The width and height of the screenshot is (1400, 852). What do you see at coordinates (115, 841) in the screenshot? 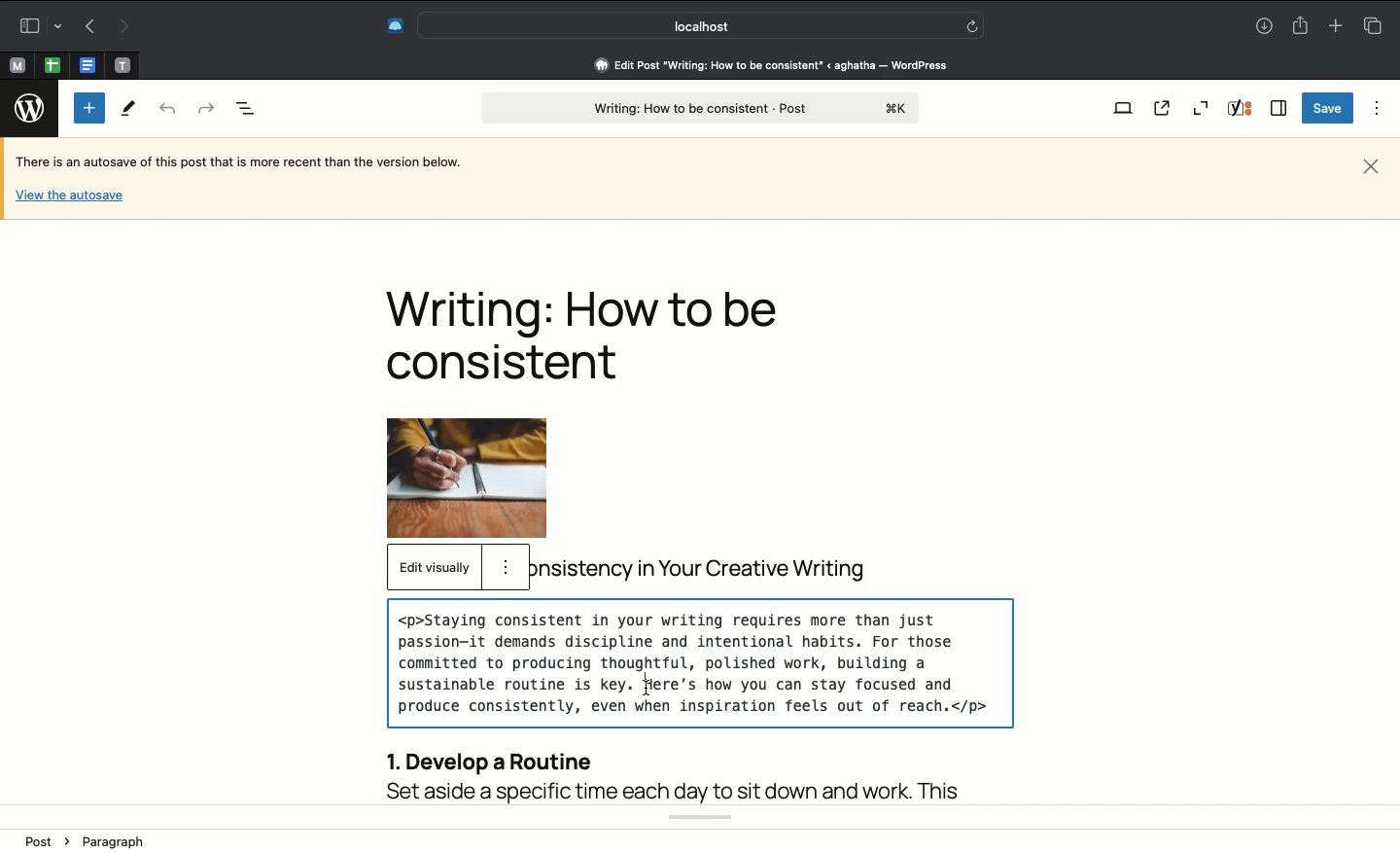
I see `paragraph` at bounding box center [115, 841].